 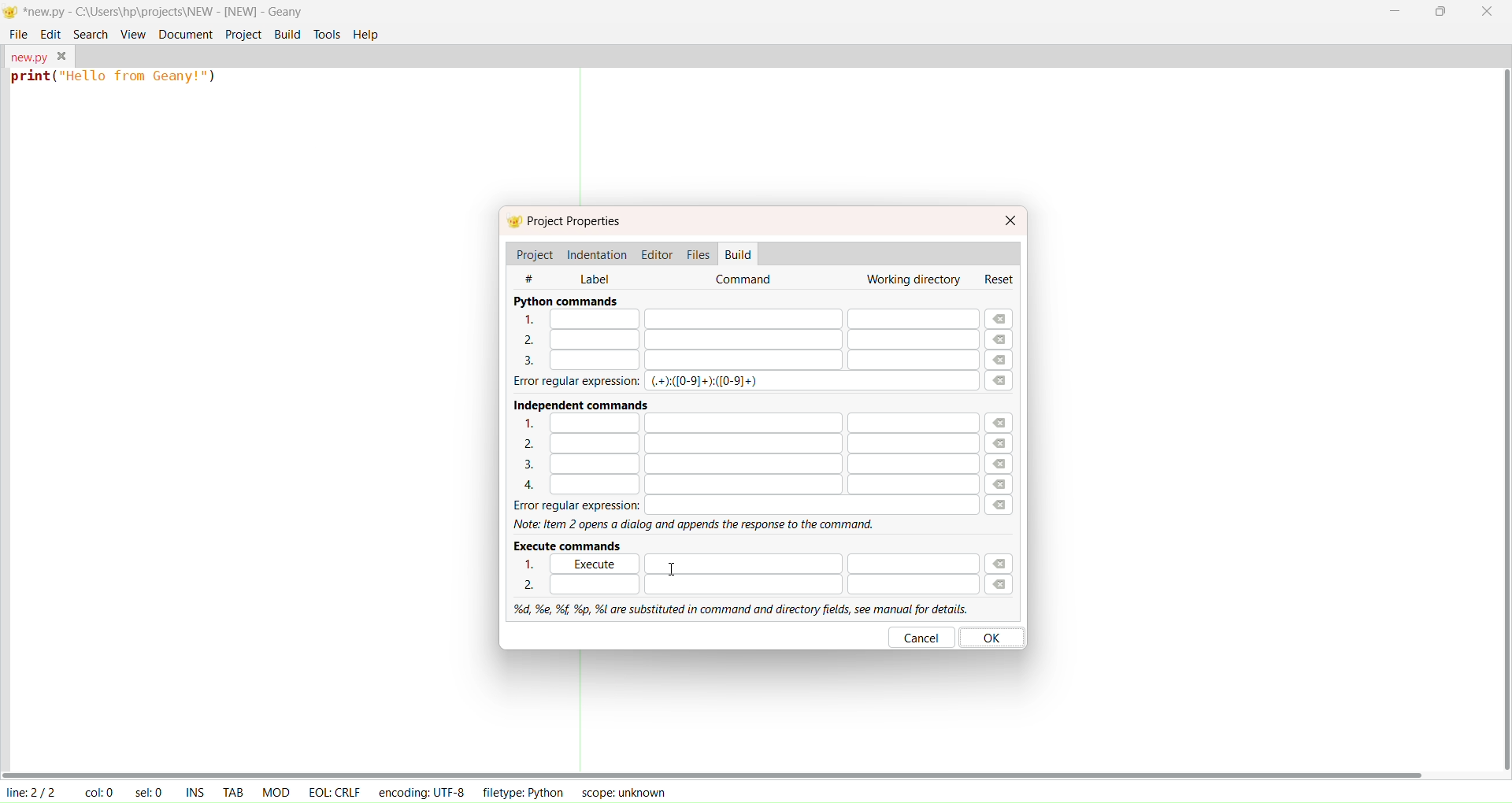 What do you see at coordinates (133, 32) in the screenshot?
I see `view` at bounding box center [133, 32].